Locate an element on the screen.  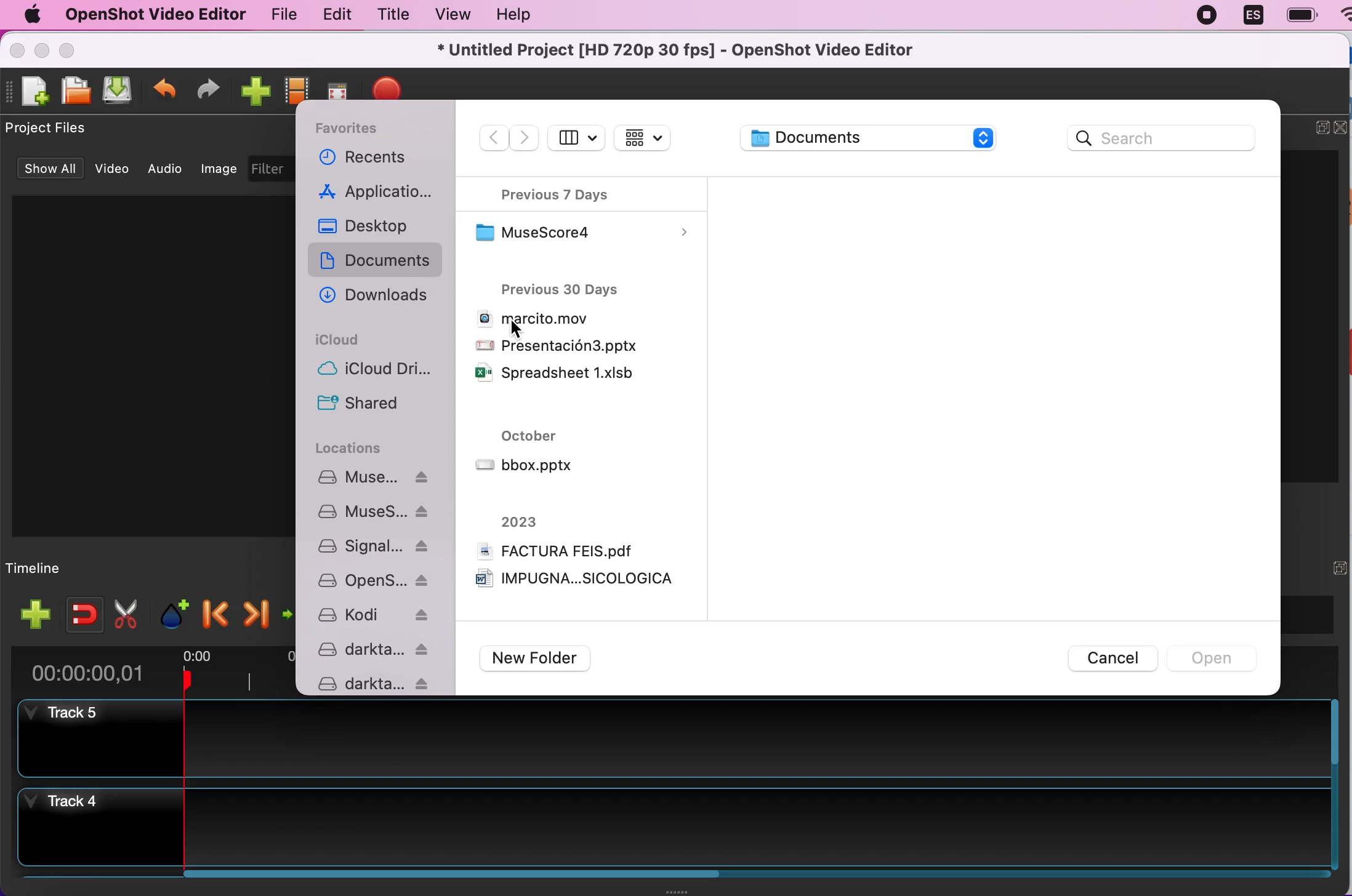
marcito.mov is located at coordinates (531, 319).